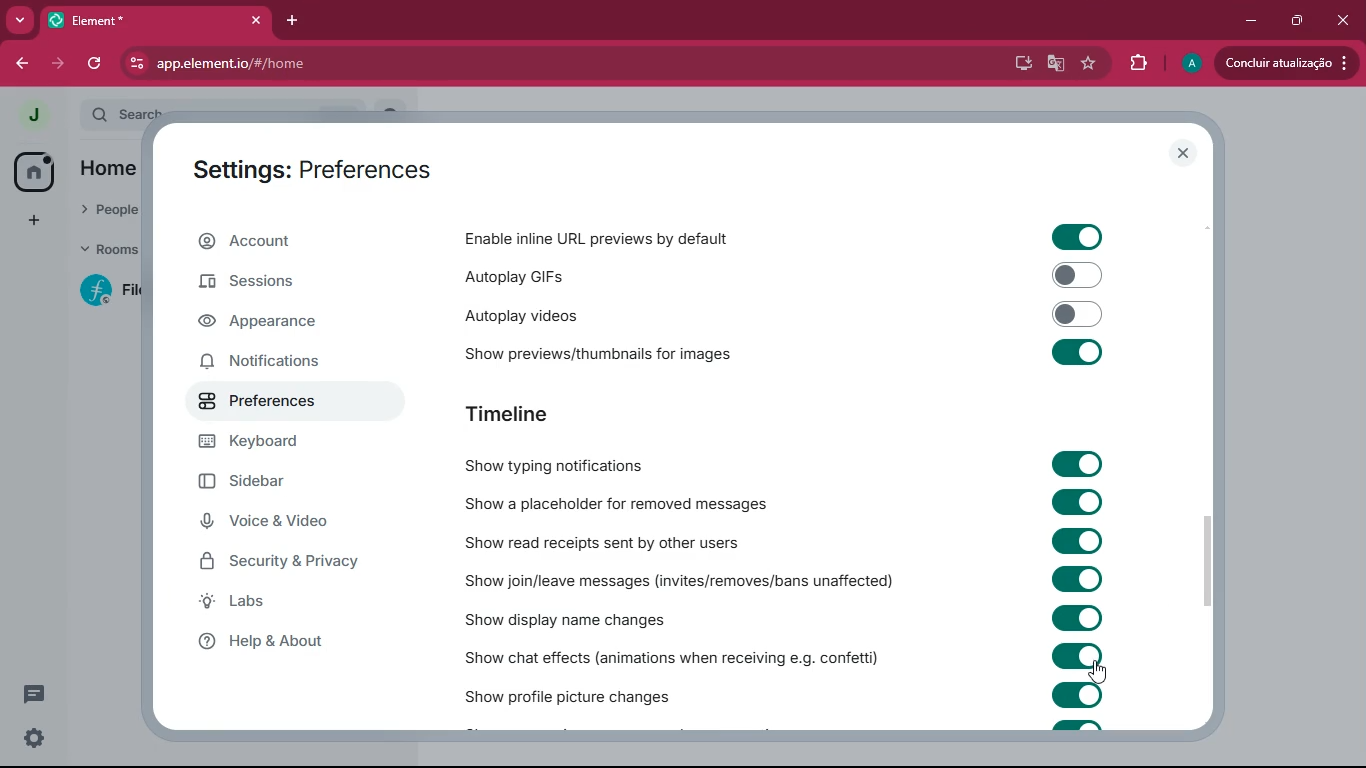  I want to click on show join/leave messages (invites/removes/bans unaffected), so click(681, 580).